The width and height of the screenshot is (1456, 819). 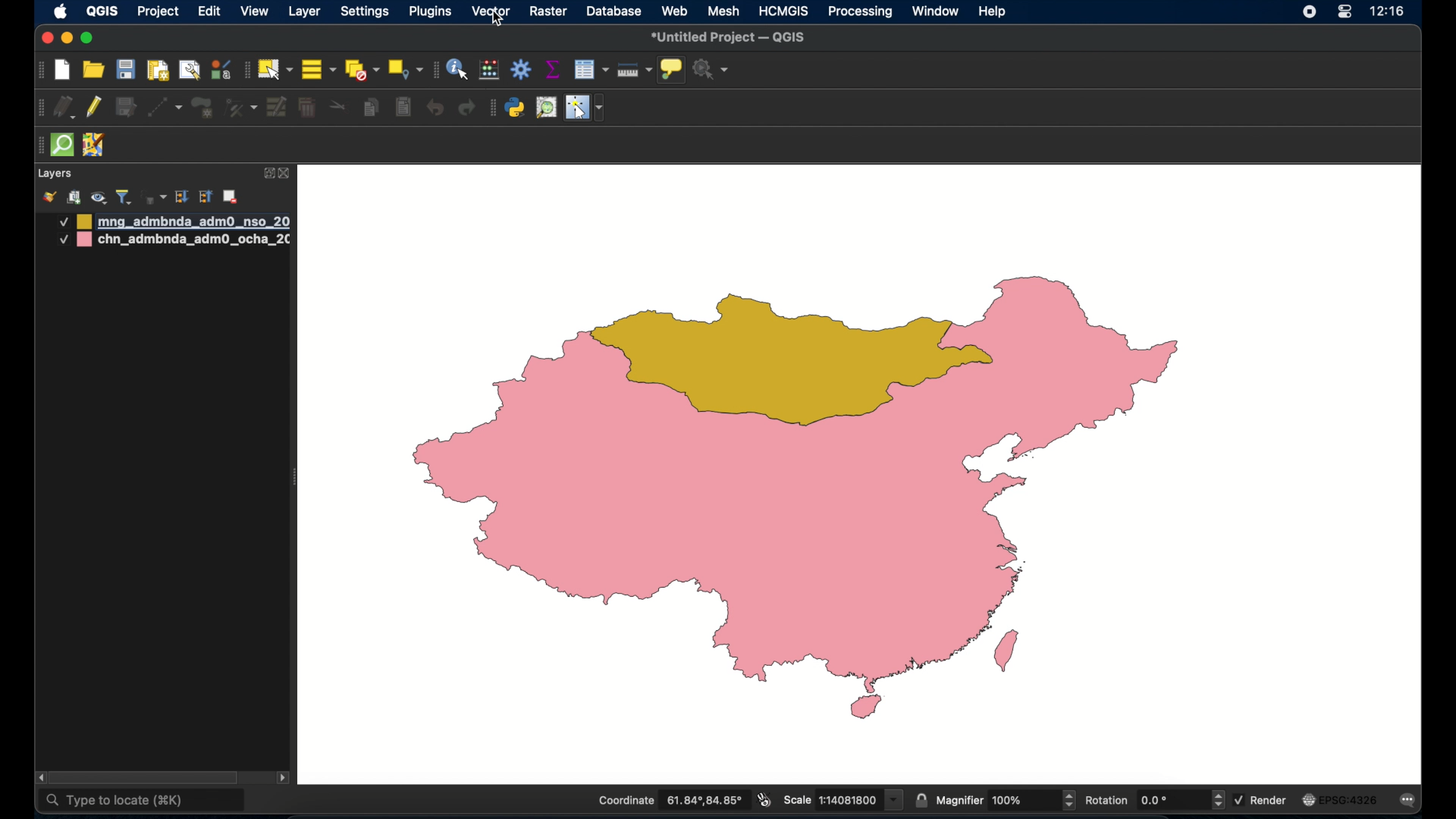 What do you see at coordinates (95, 71) in the screenshot?
I see `open project` at bounding box center [95, 71].